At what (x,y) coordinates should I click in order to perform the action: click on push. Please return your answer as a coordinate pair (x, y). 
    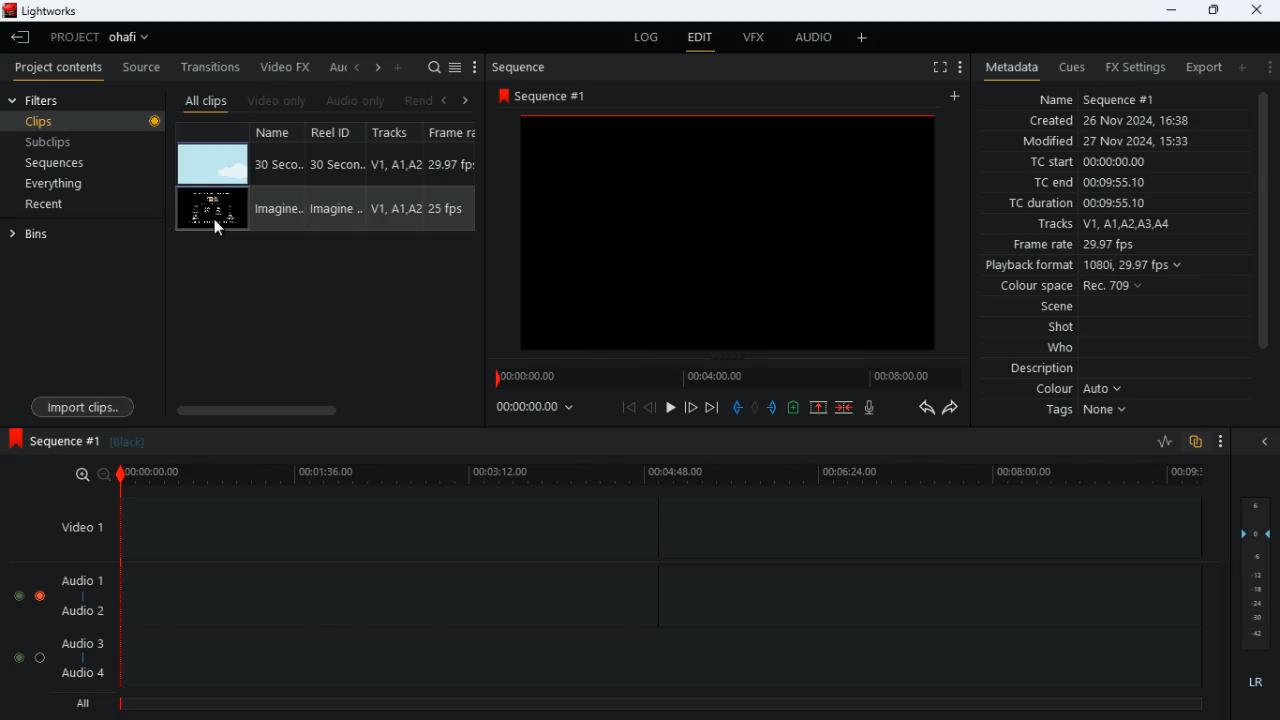
    Looking at the image, I should click on (773, 409).